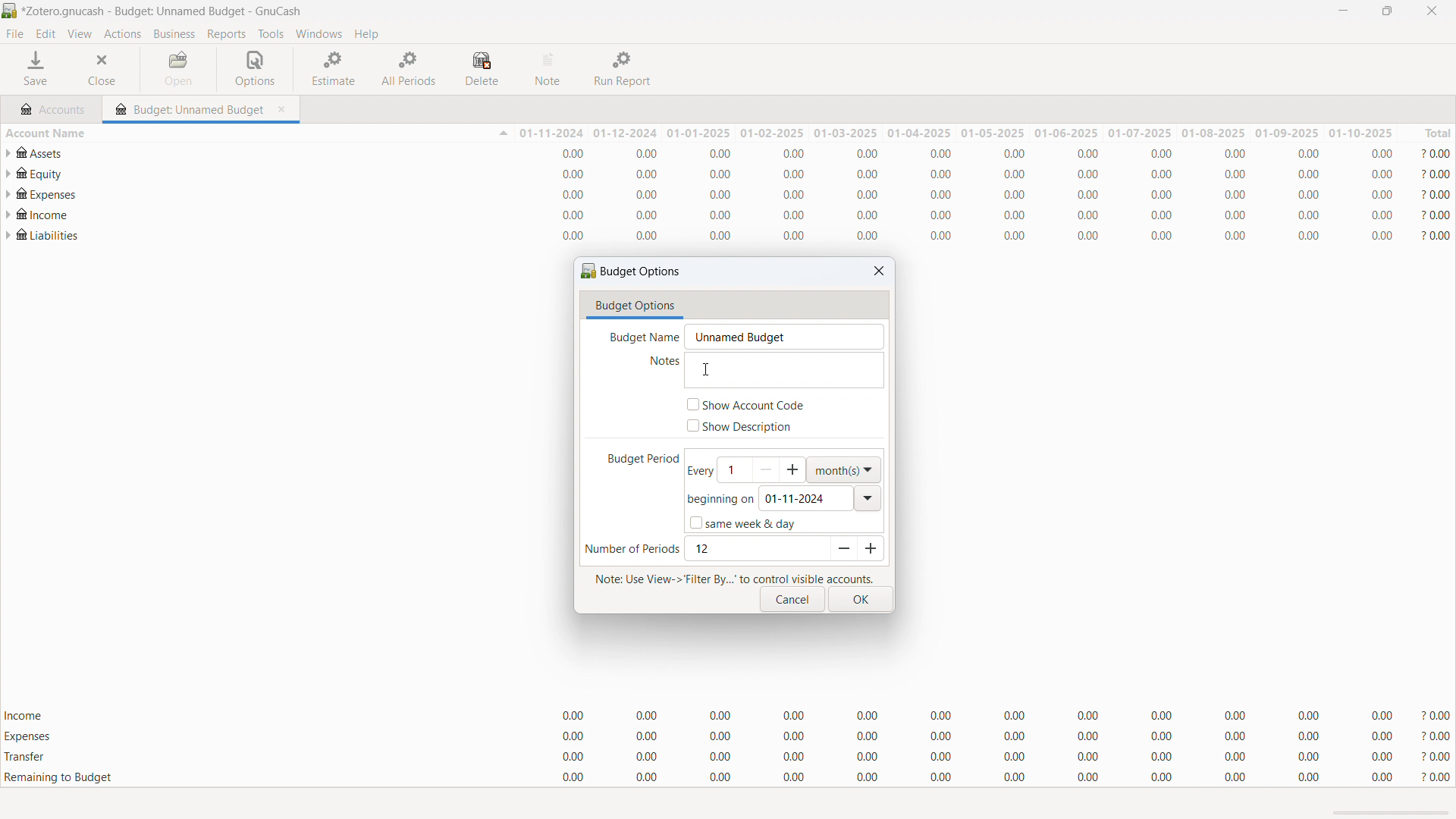 This screenshot has height=819, width=1456. Describe the element at coordinates (1215, 133) in the screenshot. I see `01-08-2025` at that location.